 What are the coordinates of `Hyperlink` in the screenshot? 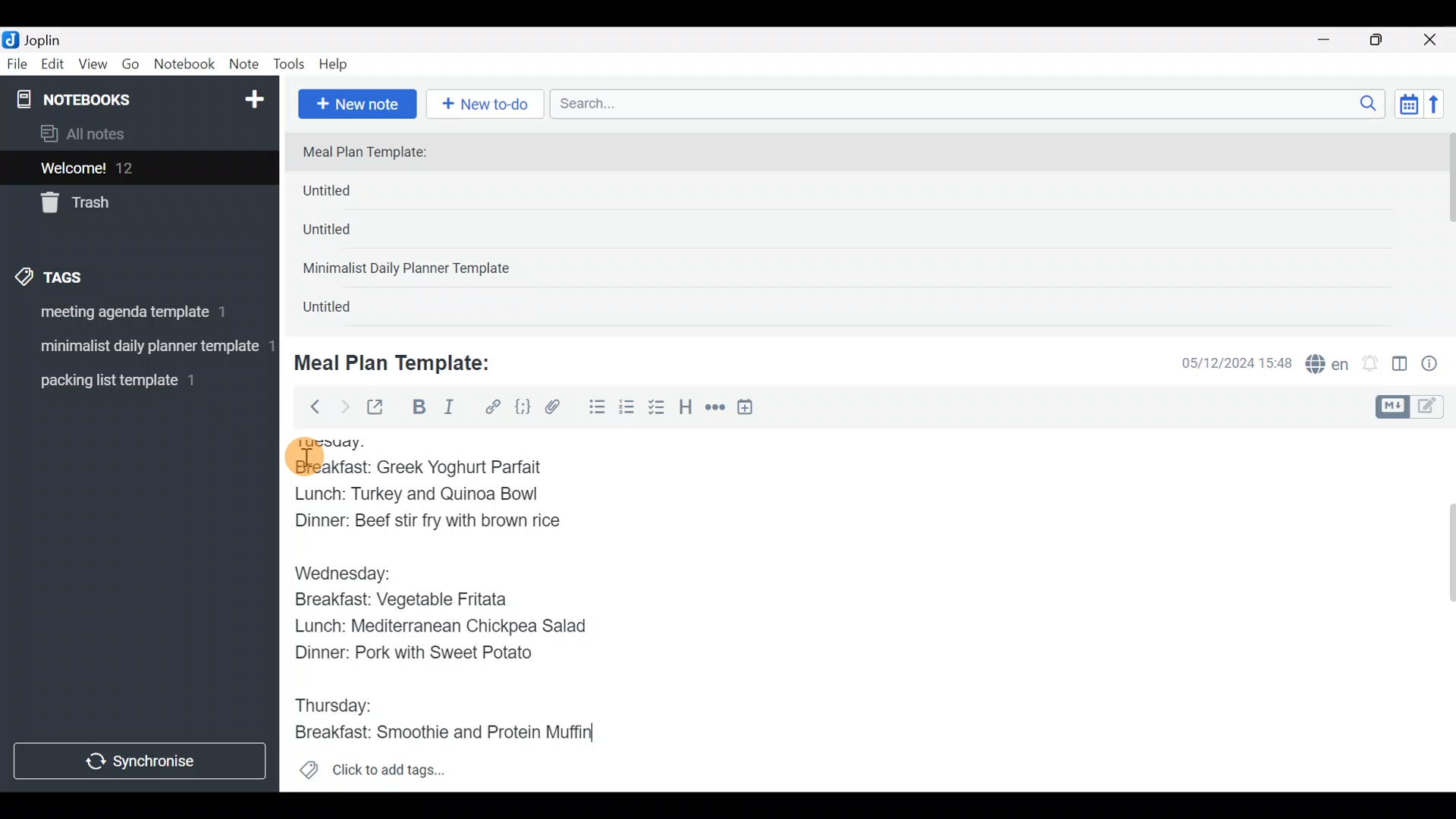 It's located at (493, 407).